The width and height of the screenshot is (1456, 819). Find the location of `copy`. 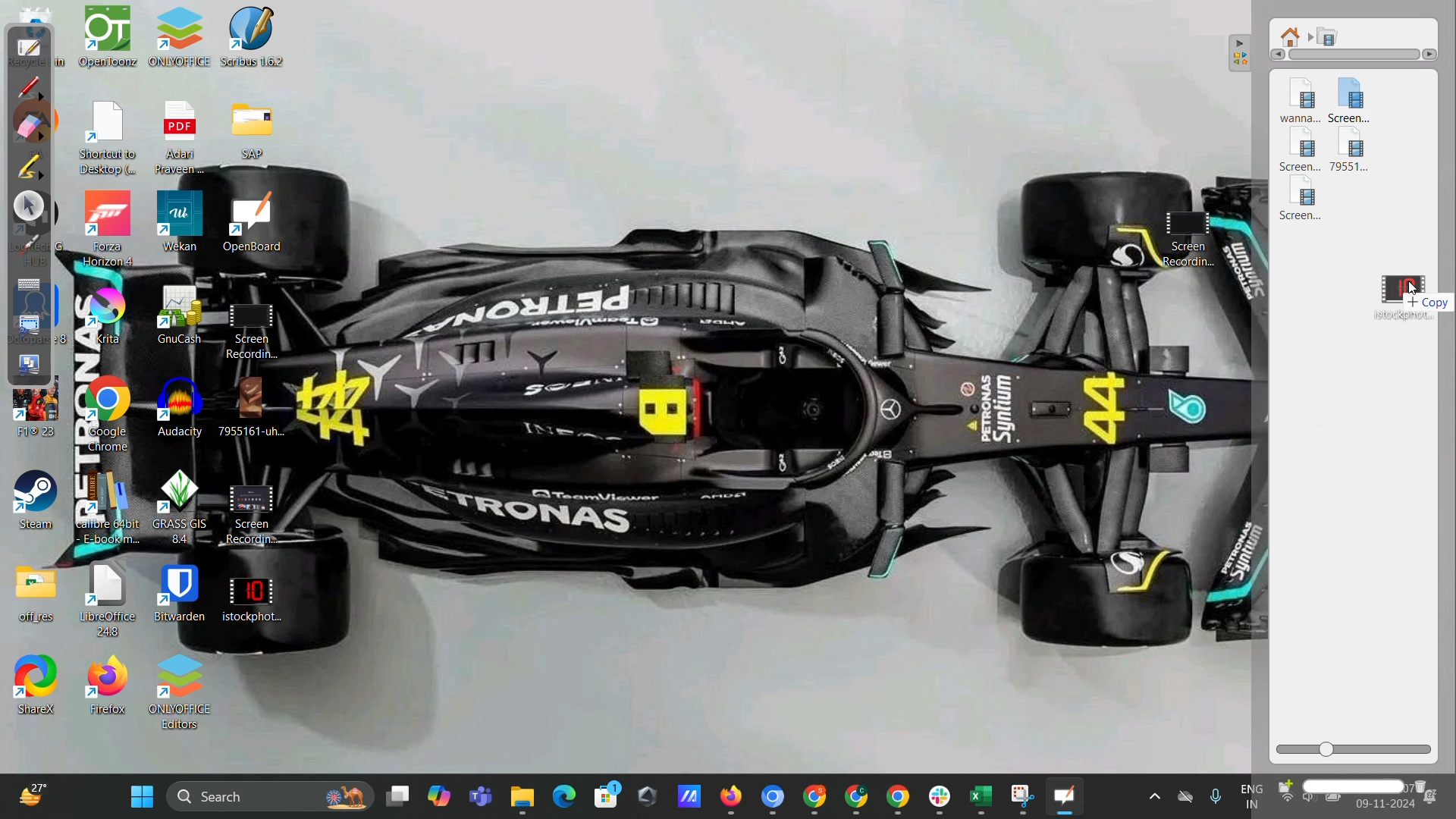

copy is located at coordinates (1435, 305).